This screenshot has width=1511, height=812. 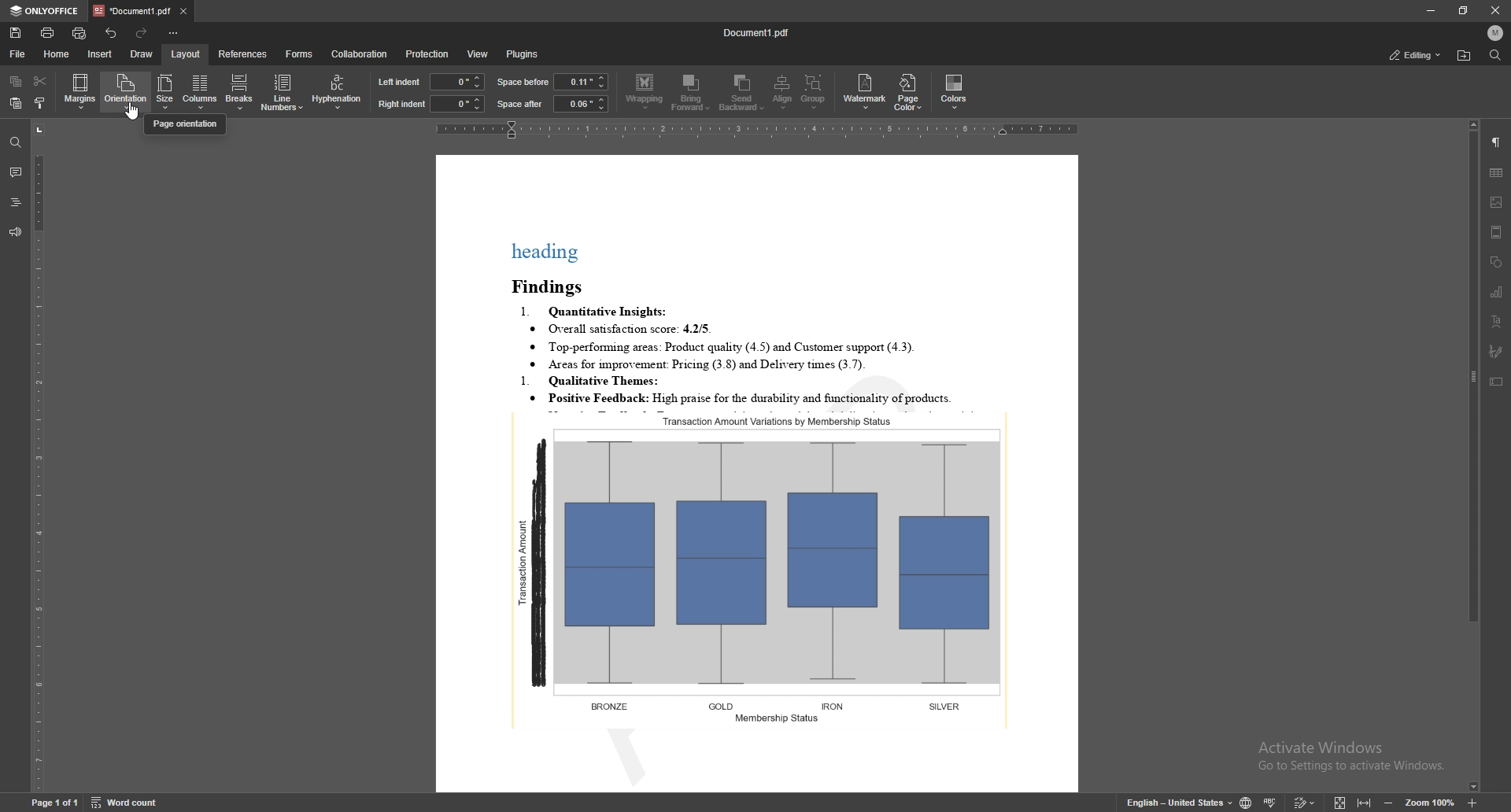 I want to click on home, so click(x=57, y=54).